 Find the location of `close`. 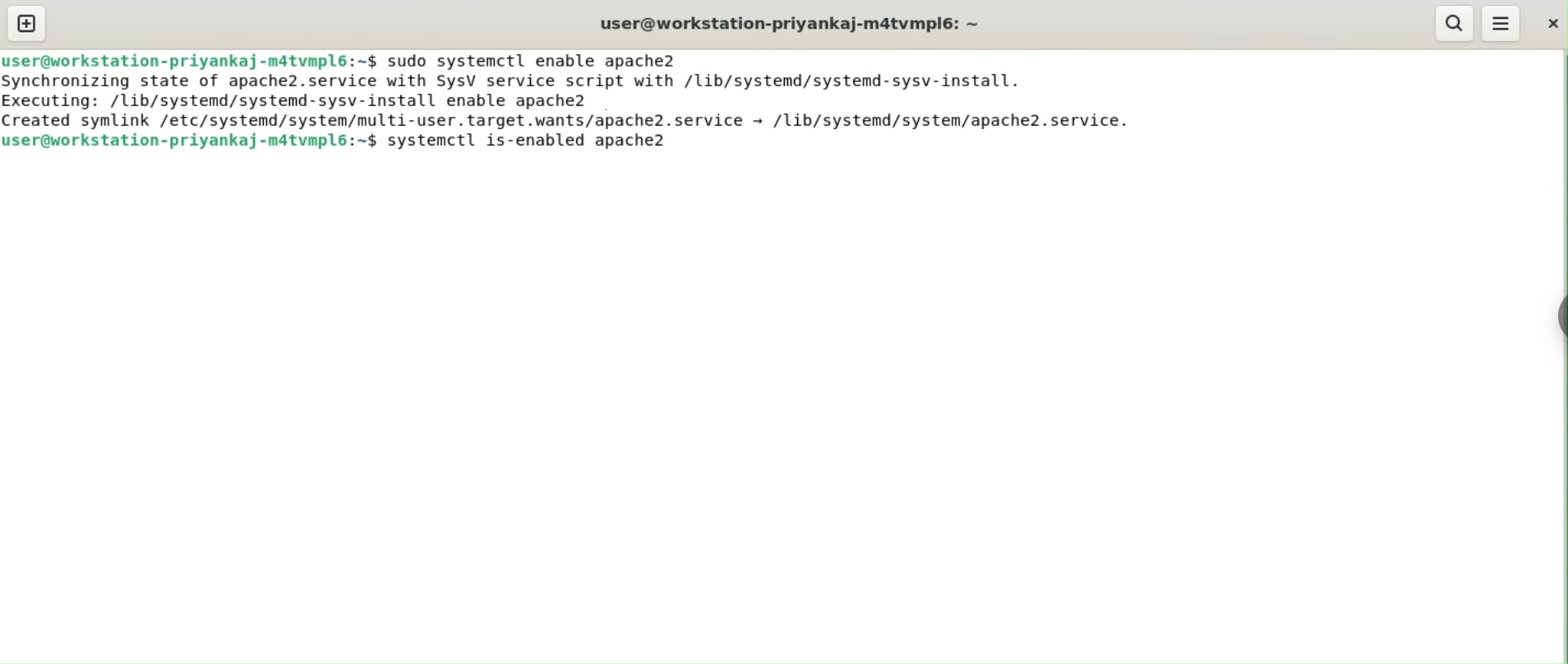

close is located at coordinates (1550, 22).